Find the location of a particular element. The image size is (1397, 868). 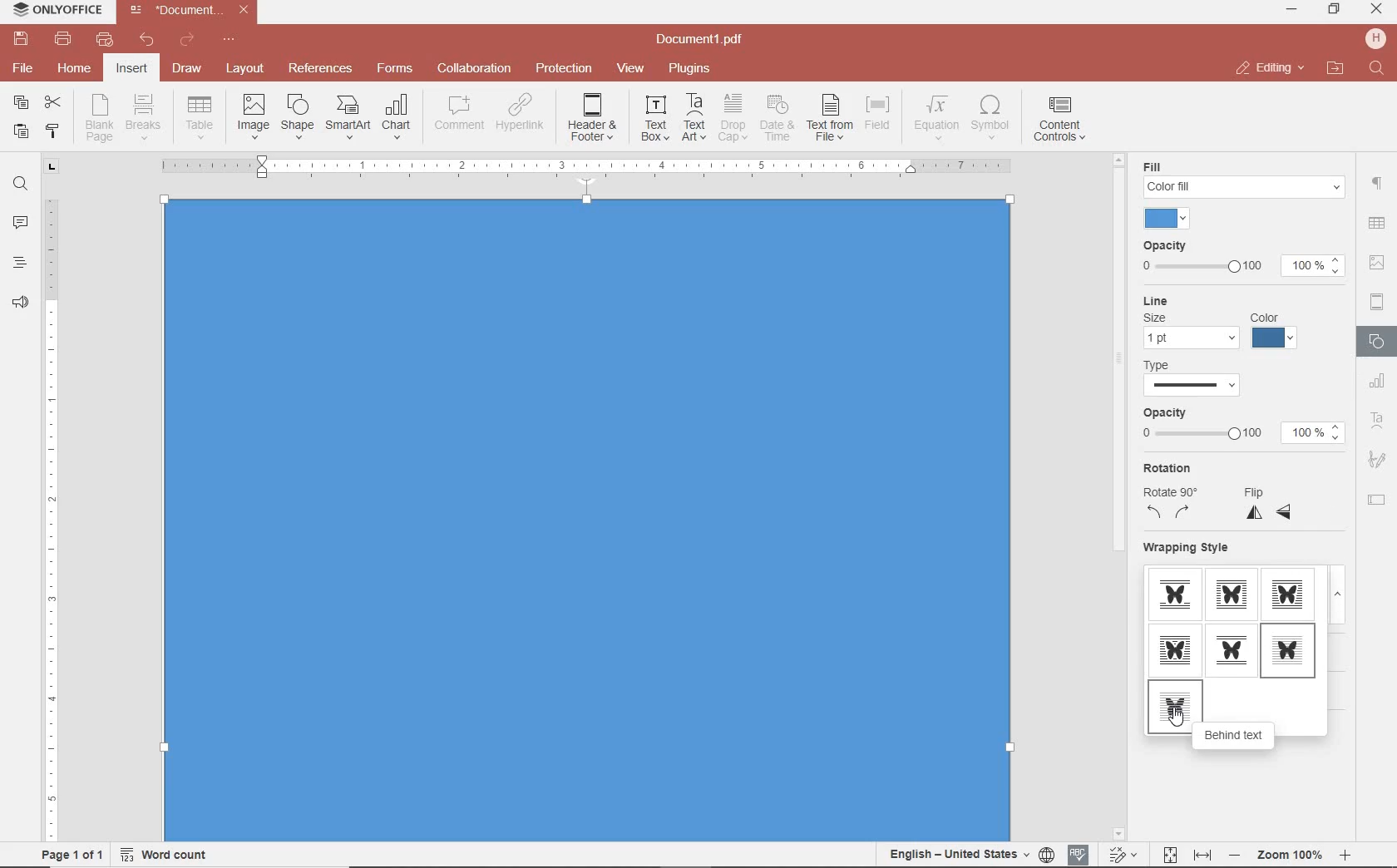

NSERT EQUATION is located at coordinates (935, 116).